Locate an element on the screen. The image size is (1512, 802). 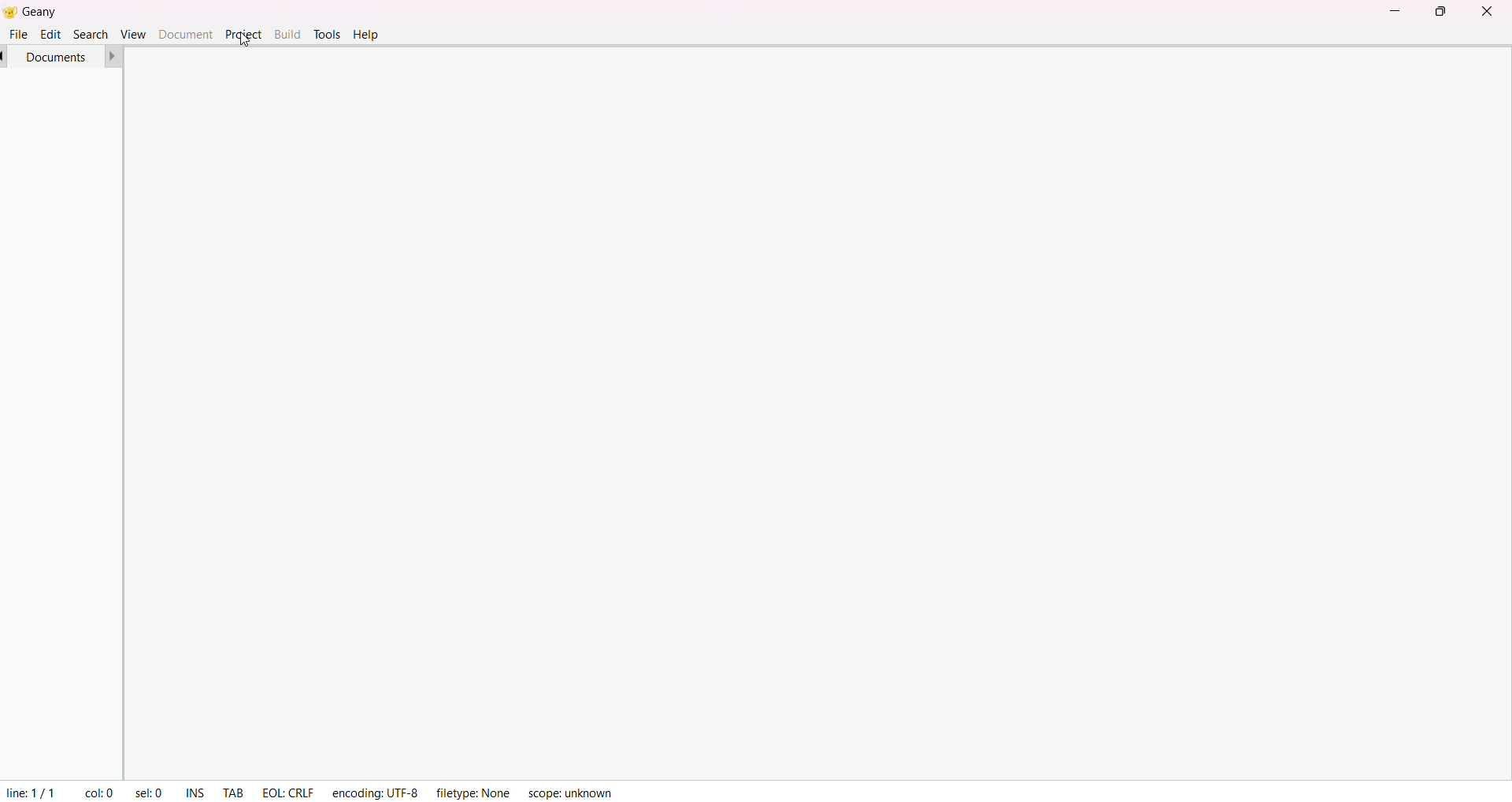
sel: 0 is located at coordinates (148, 790).